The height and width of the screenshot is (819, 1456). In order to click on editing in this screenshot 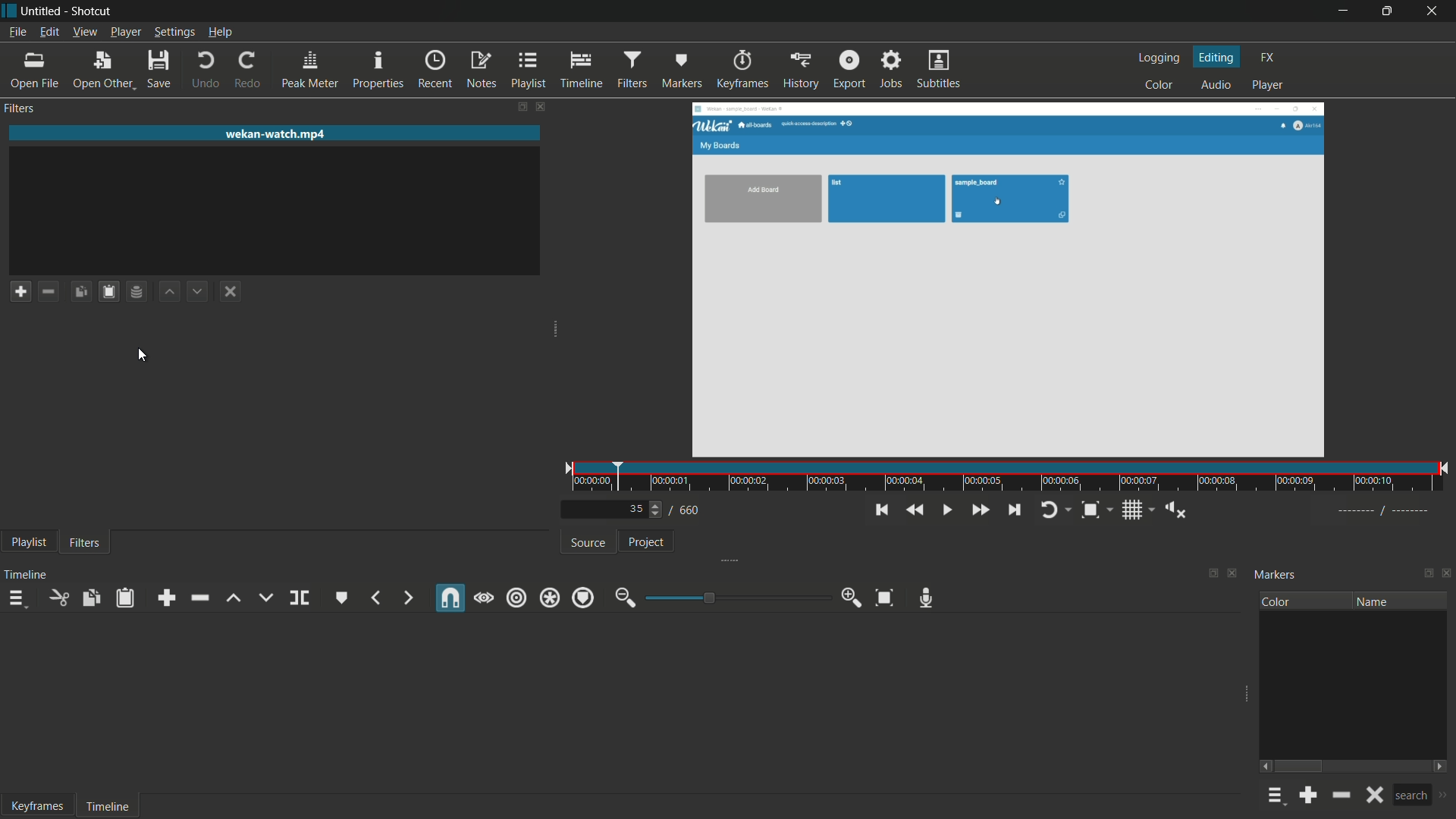, I will do `click(1216, 58)`.